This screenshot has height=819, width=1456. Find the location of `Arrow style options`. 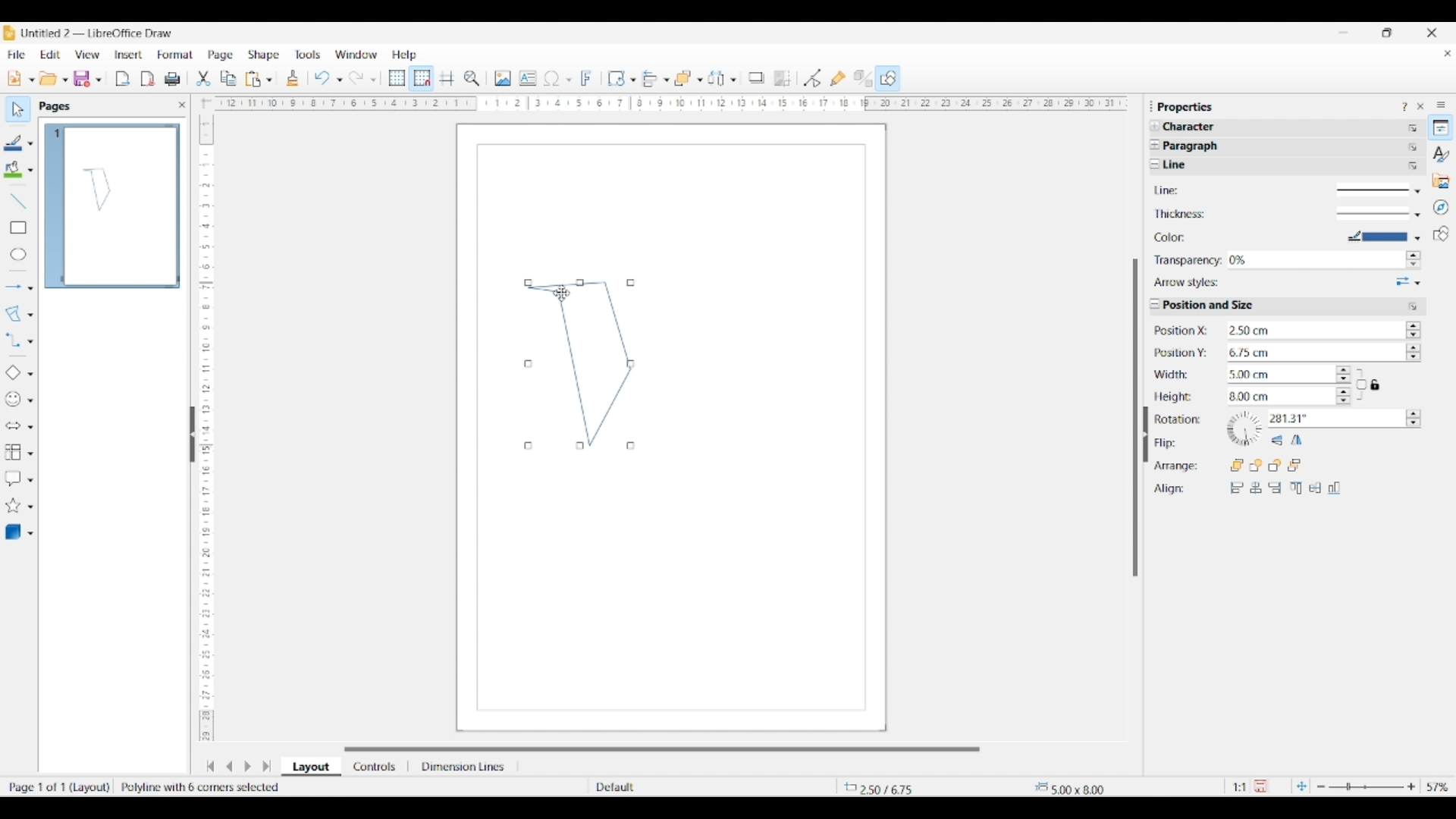

Arrow style options is located at coordinates (1408, 282).